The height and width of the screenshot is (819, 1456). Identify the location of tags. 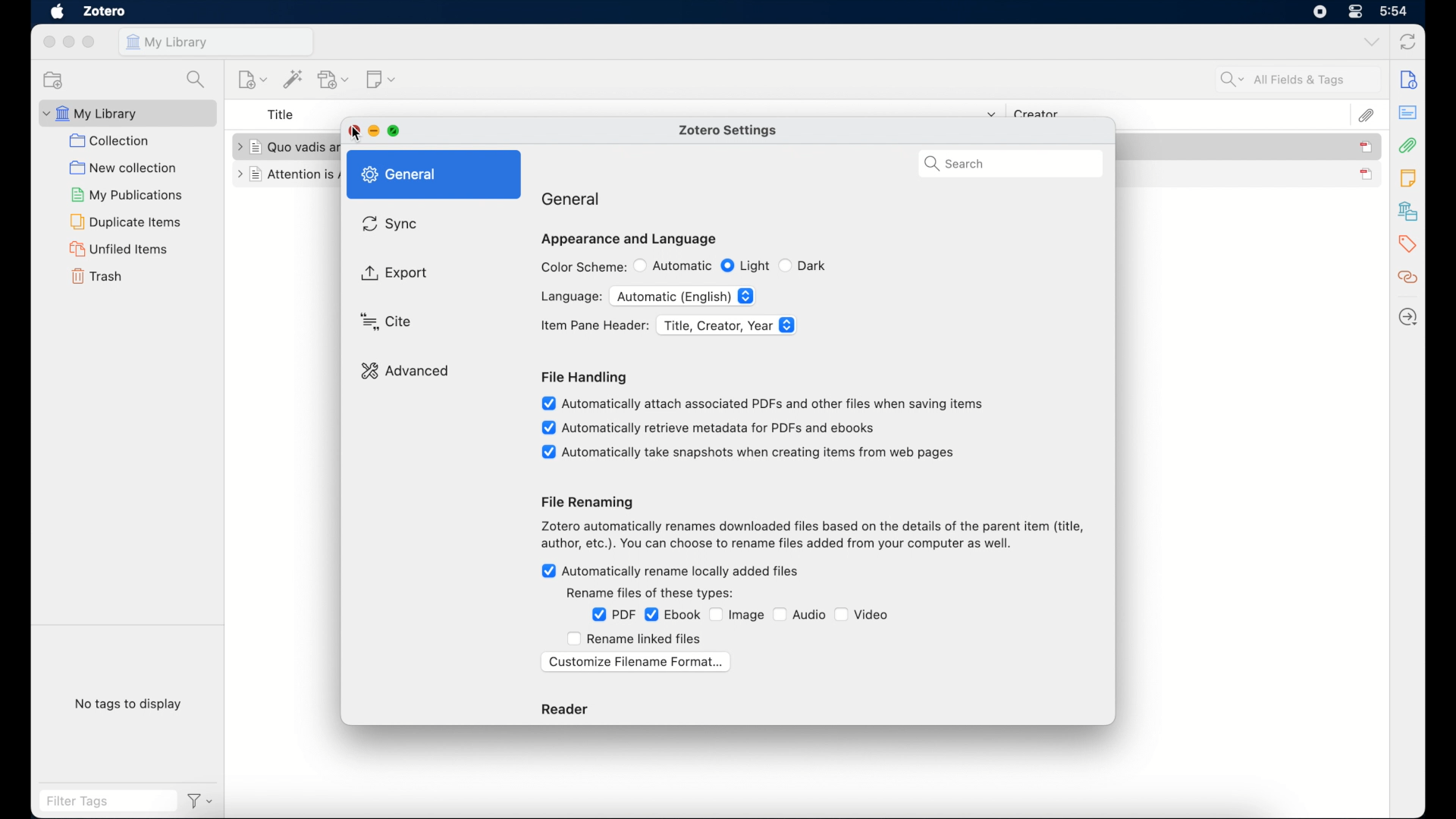
(1406, 244).